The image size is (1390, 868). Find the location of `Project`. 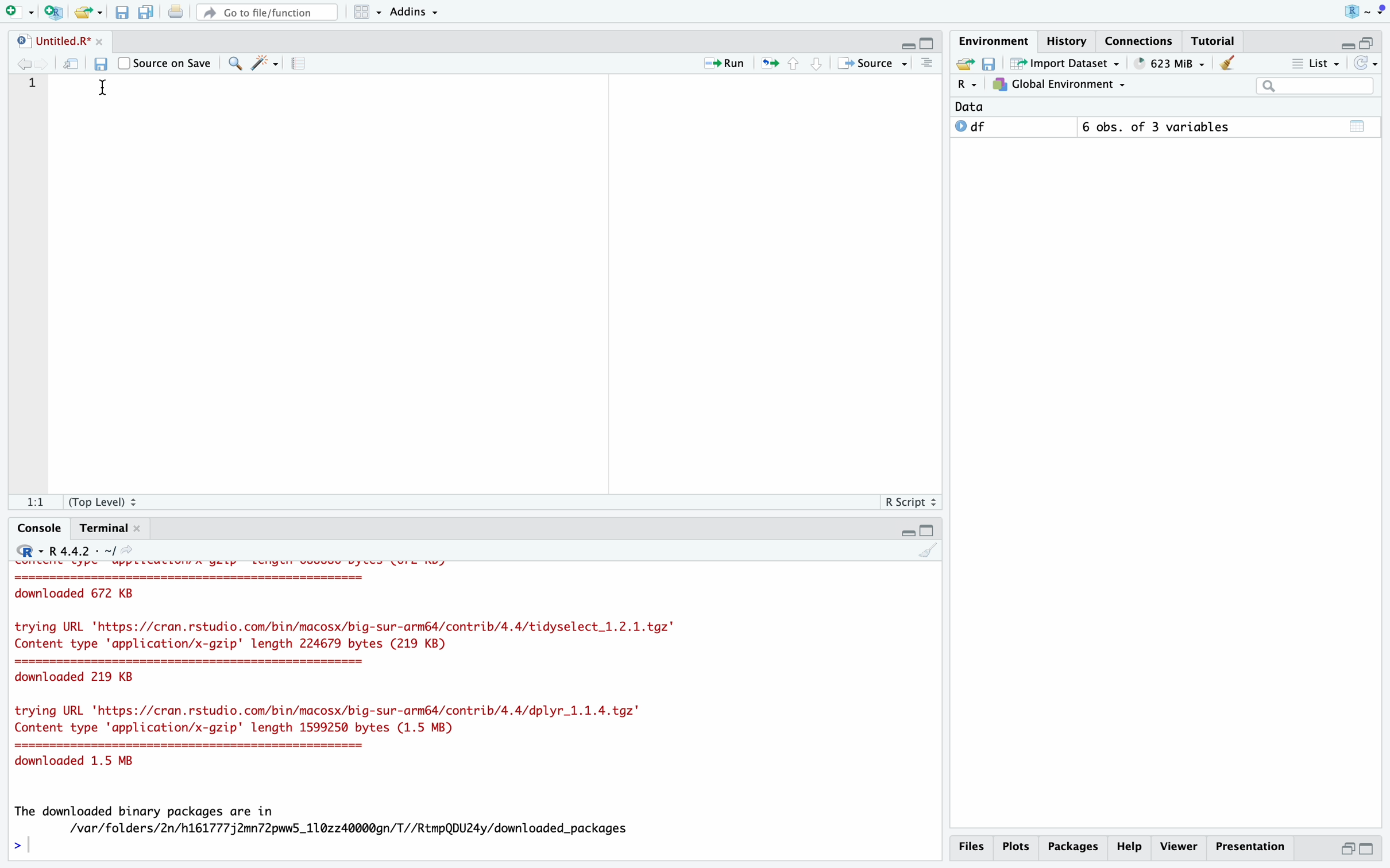

Project is located at coordinates (1364, 12).